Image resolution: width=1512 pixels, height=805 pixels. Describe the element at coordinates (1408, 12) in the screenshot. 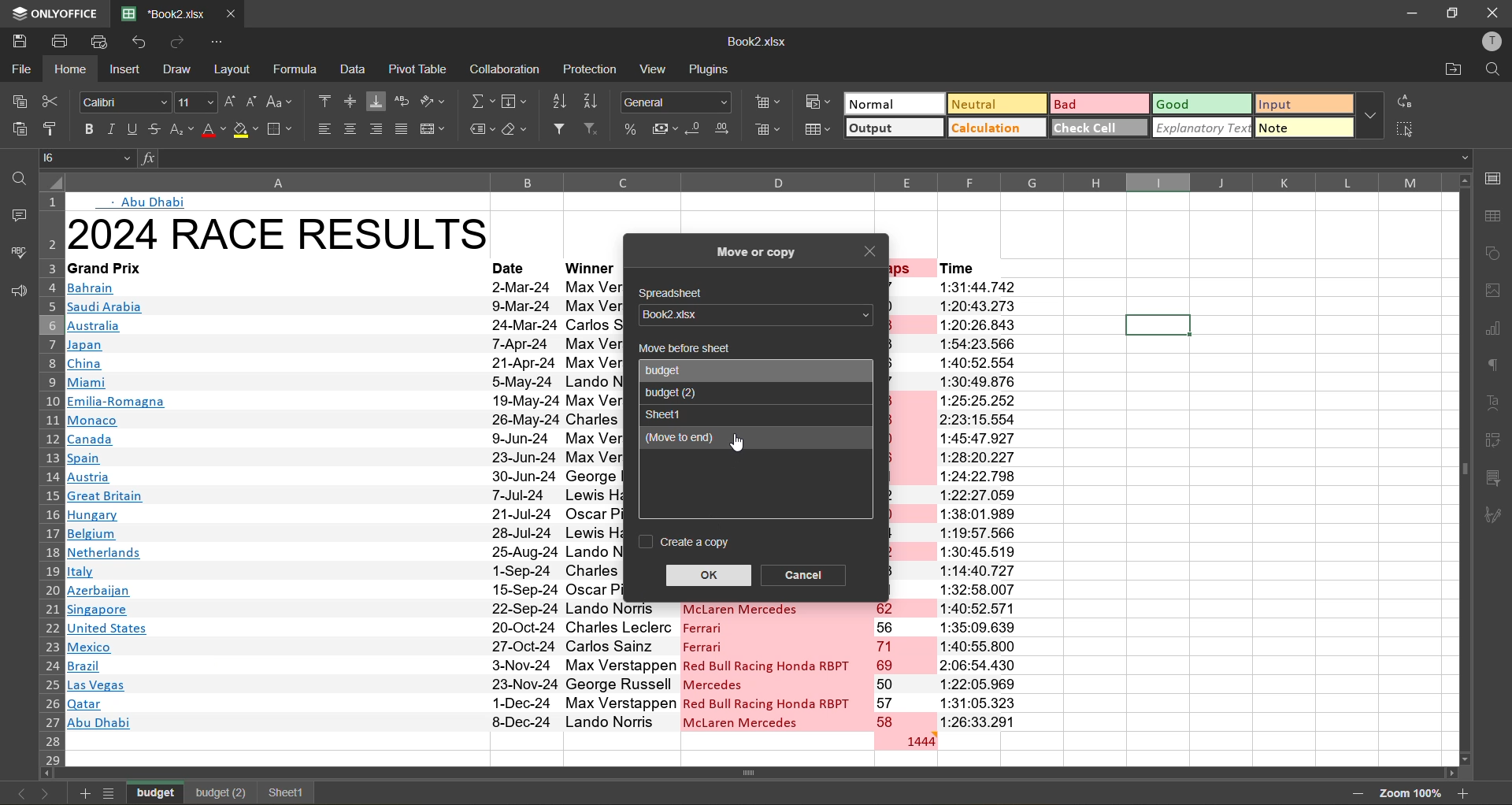

I see `minimize` at that location.